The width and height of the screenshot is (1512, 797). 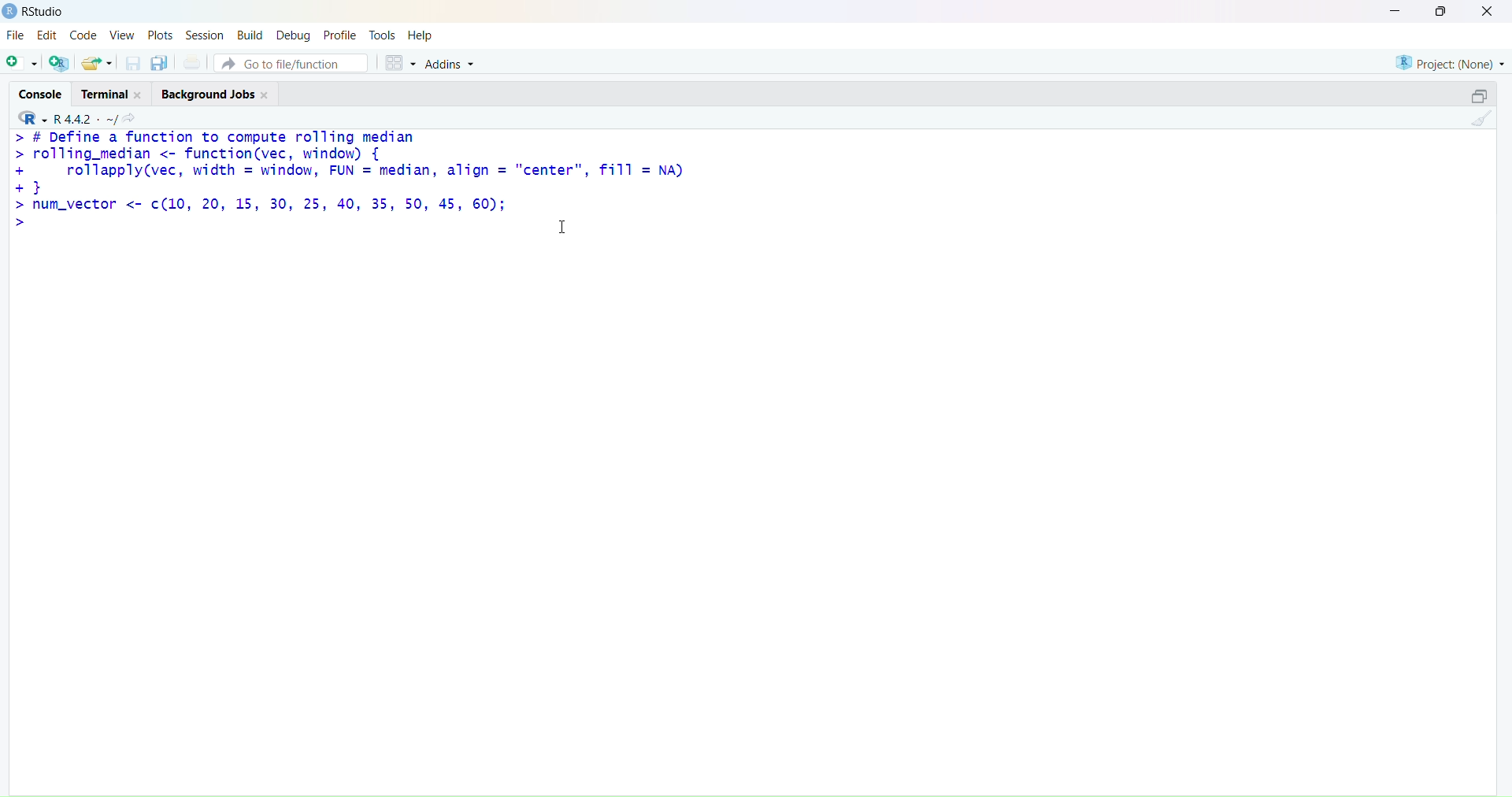 I want to click on share folder as, so click(x=97, y=63).